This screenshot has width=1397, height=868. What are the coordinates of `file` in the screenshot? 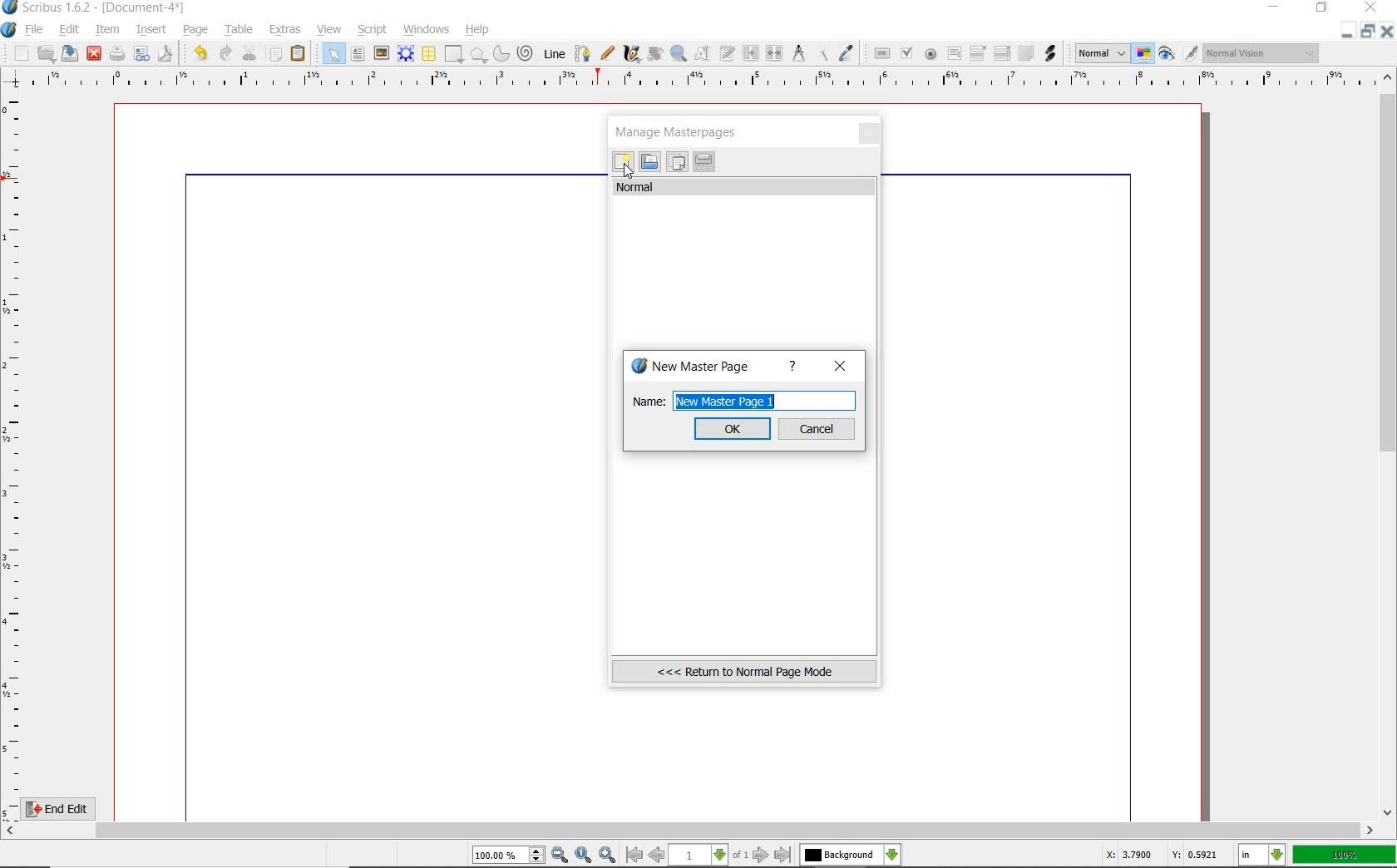 It's located at (35, 30).